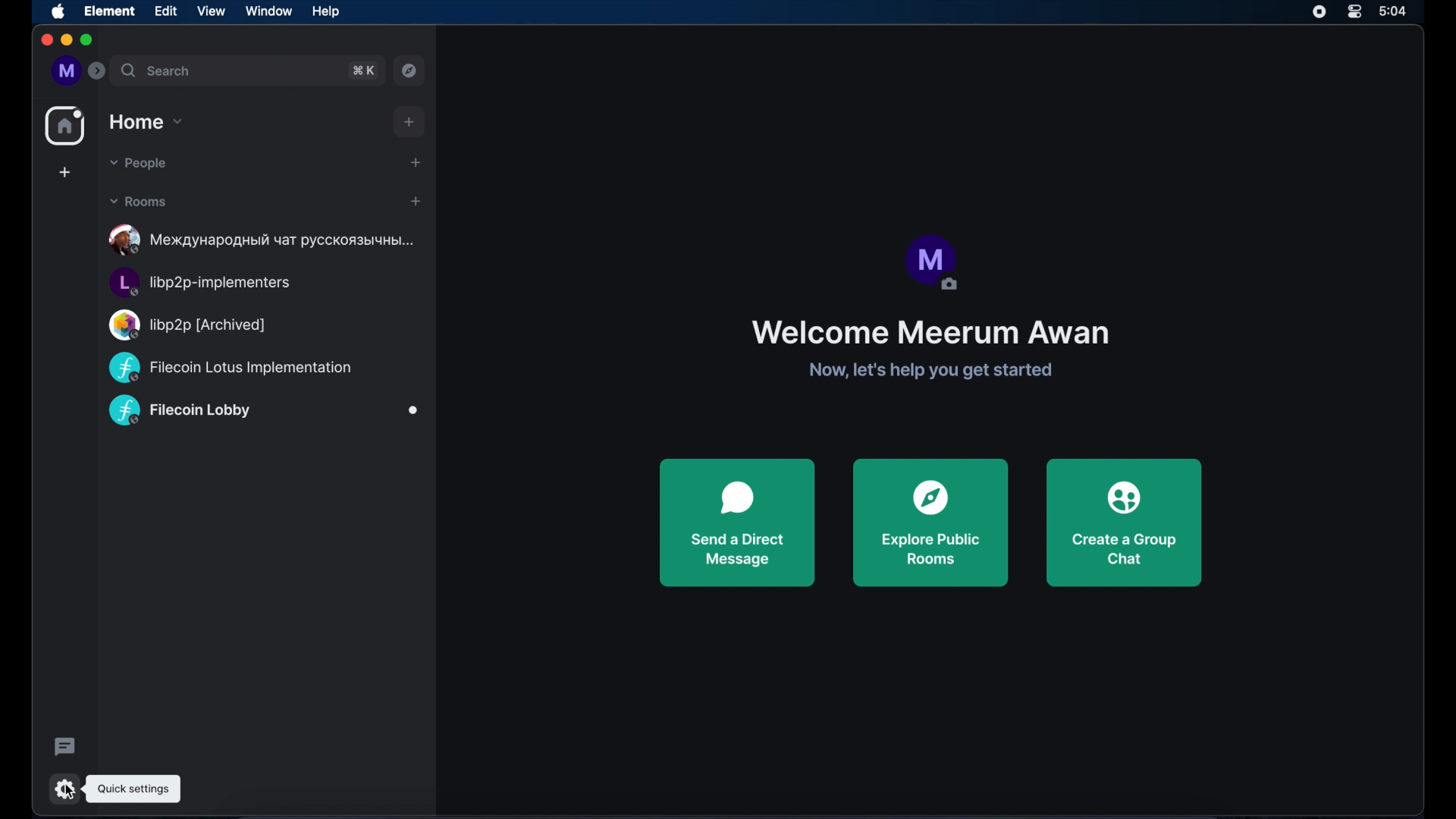  What do you see at coordinates (192, 322) in the screenshot?
I see `e libp2p [Archived]` at bounding box center [192, 322].